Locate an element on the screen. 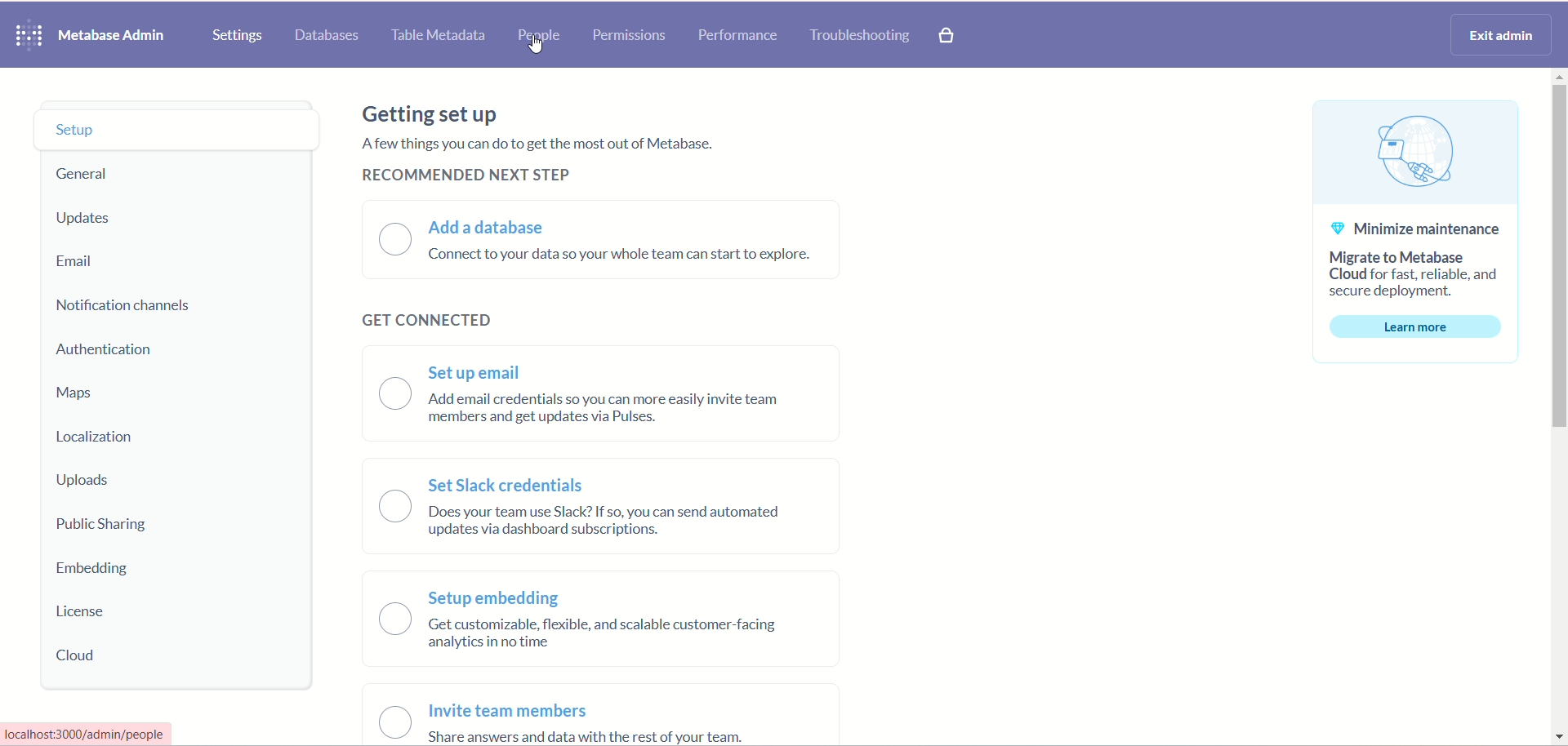 The image size is (1568, 746). license is located at coordinates (84, 611).